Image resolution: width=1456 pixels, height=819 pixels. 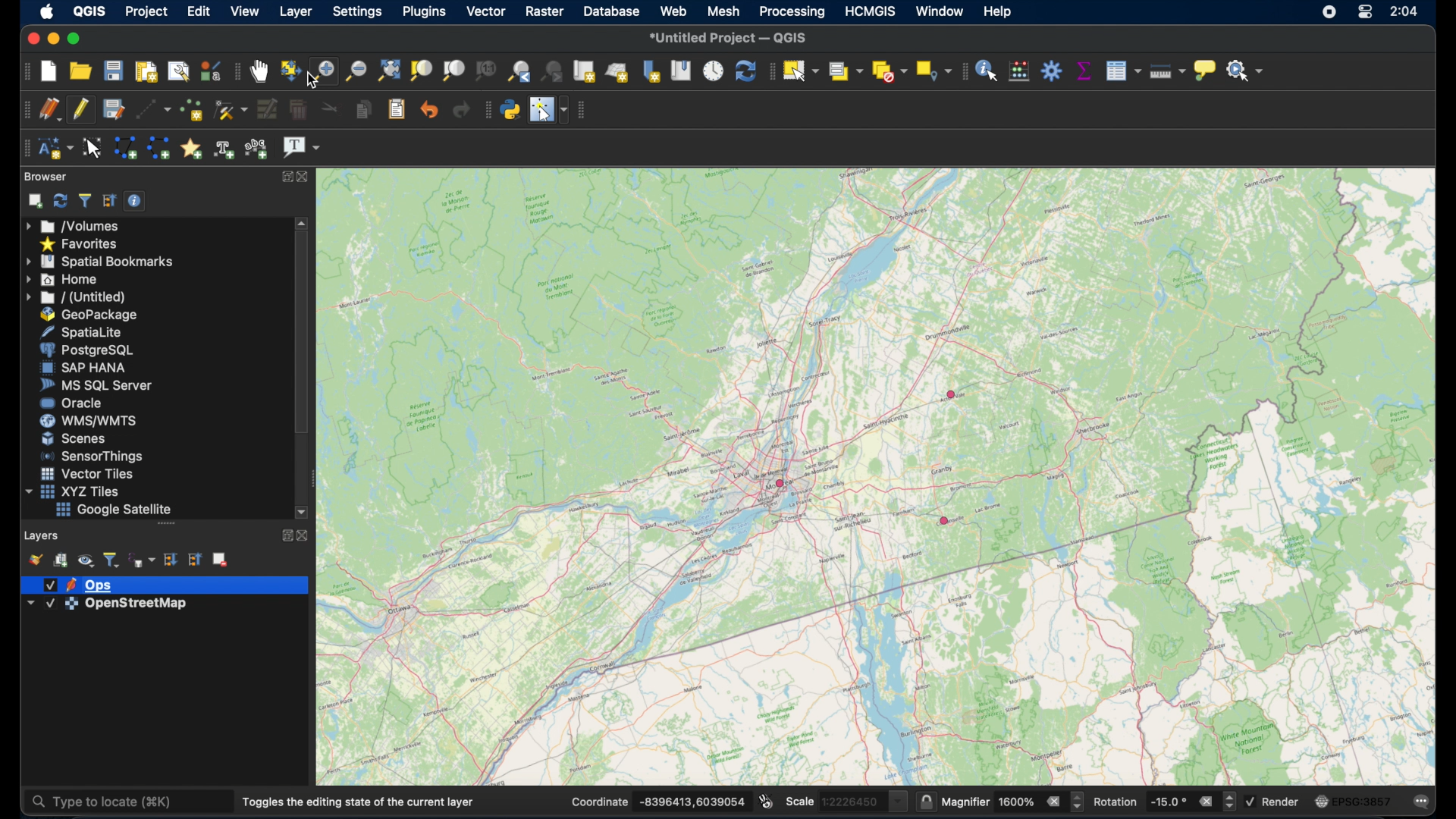 I want to click on add selected layer, so click(x=33, y=202).